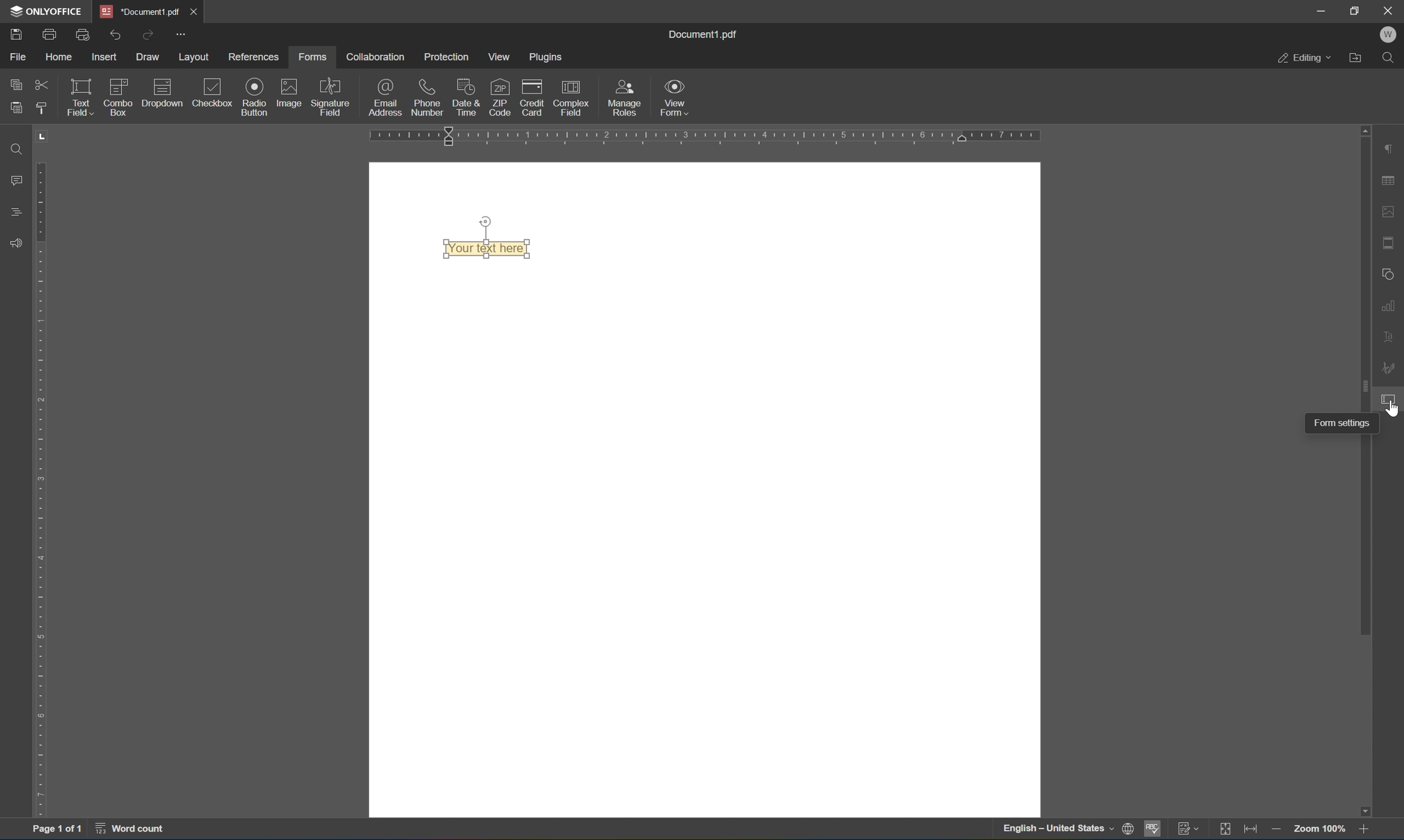  Describe the element at coordinates (1367, 130) in the screenshot. I see `scroll up` at that location.